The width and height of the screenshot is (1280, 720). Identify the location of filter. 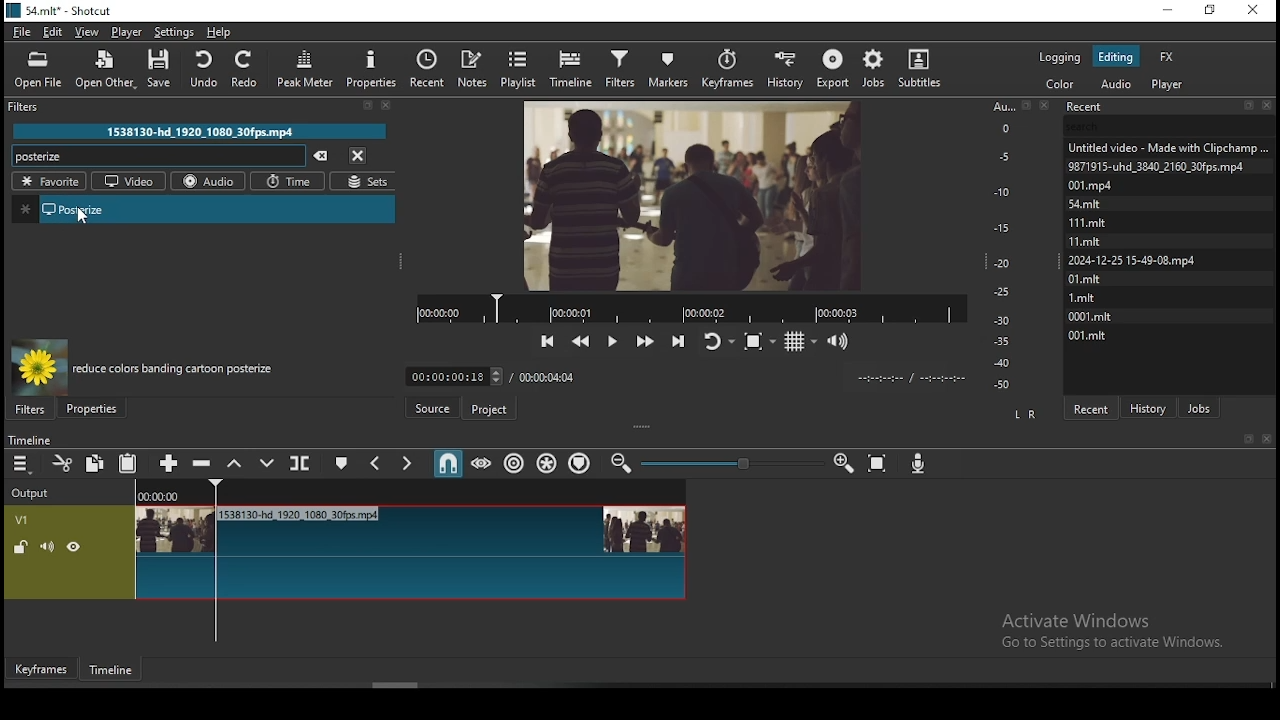
(207, 107).